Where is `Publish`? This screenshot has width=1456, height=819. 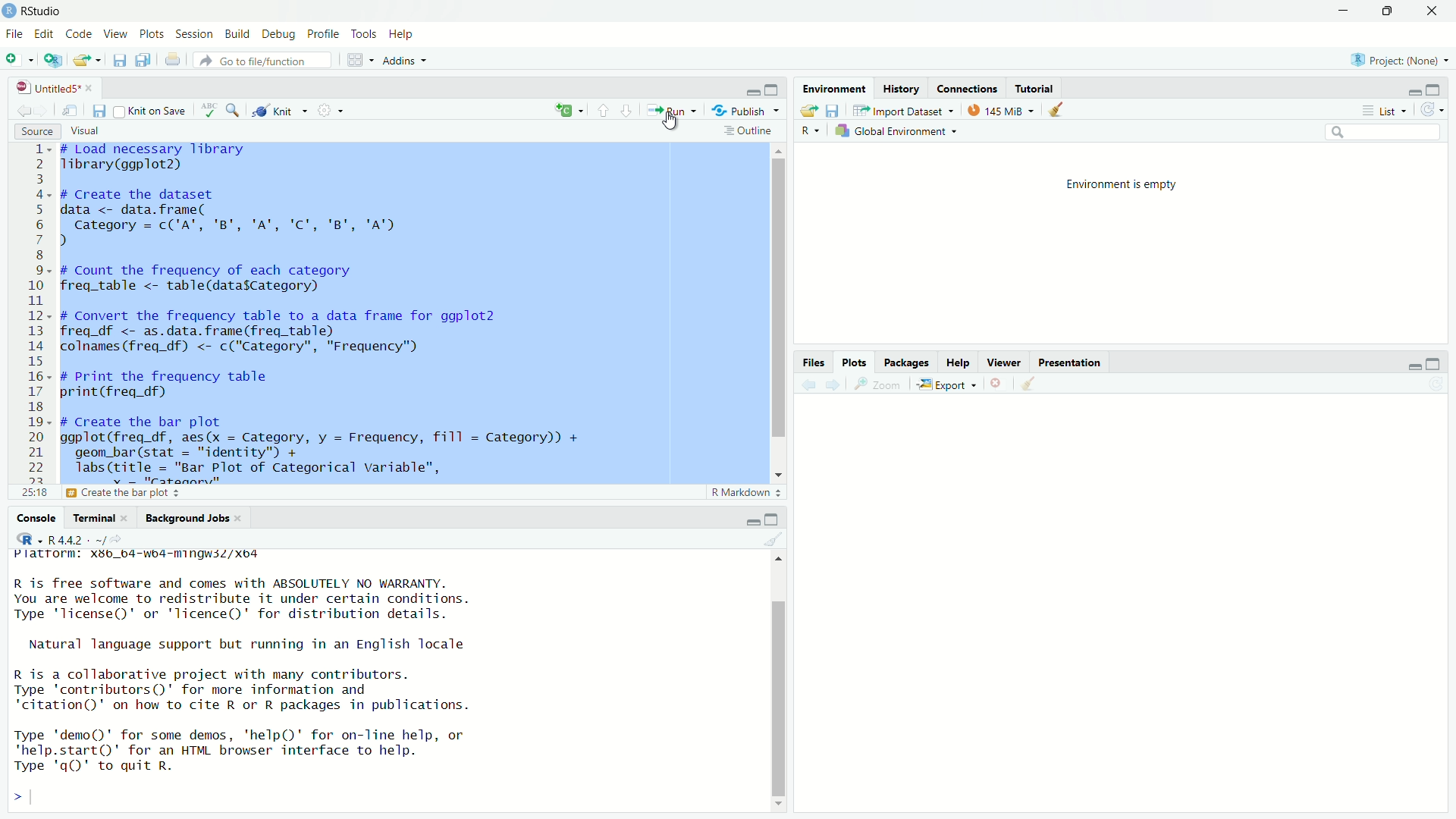
Publish is located at coordinates (747, 110).